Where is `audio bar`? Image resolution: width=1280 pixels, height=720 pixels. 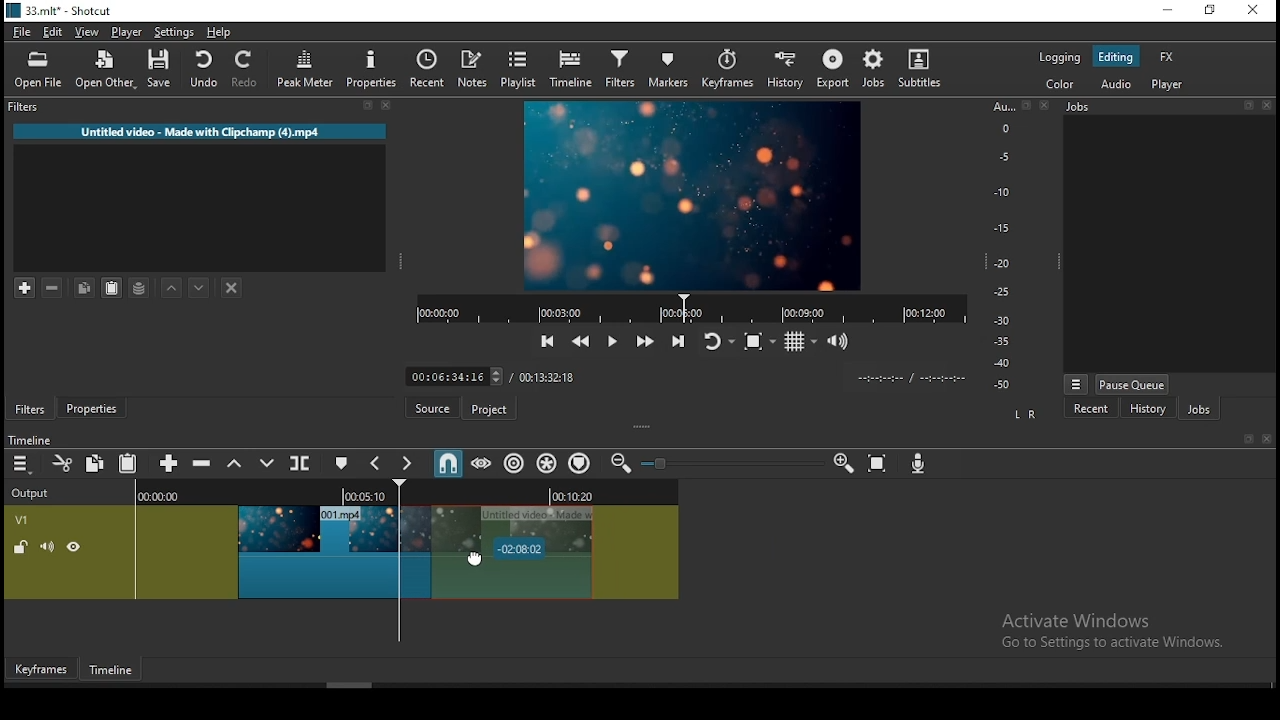 audio bar is located at coordinates (1002, 246).